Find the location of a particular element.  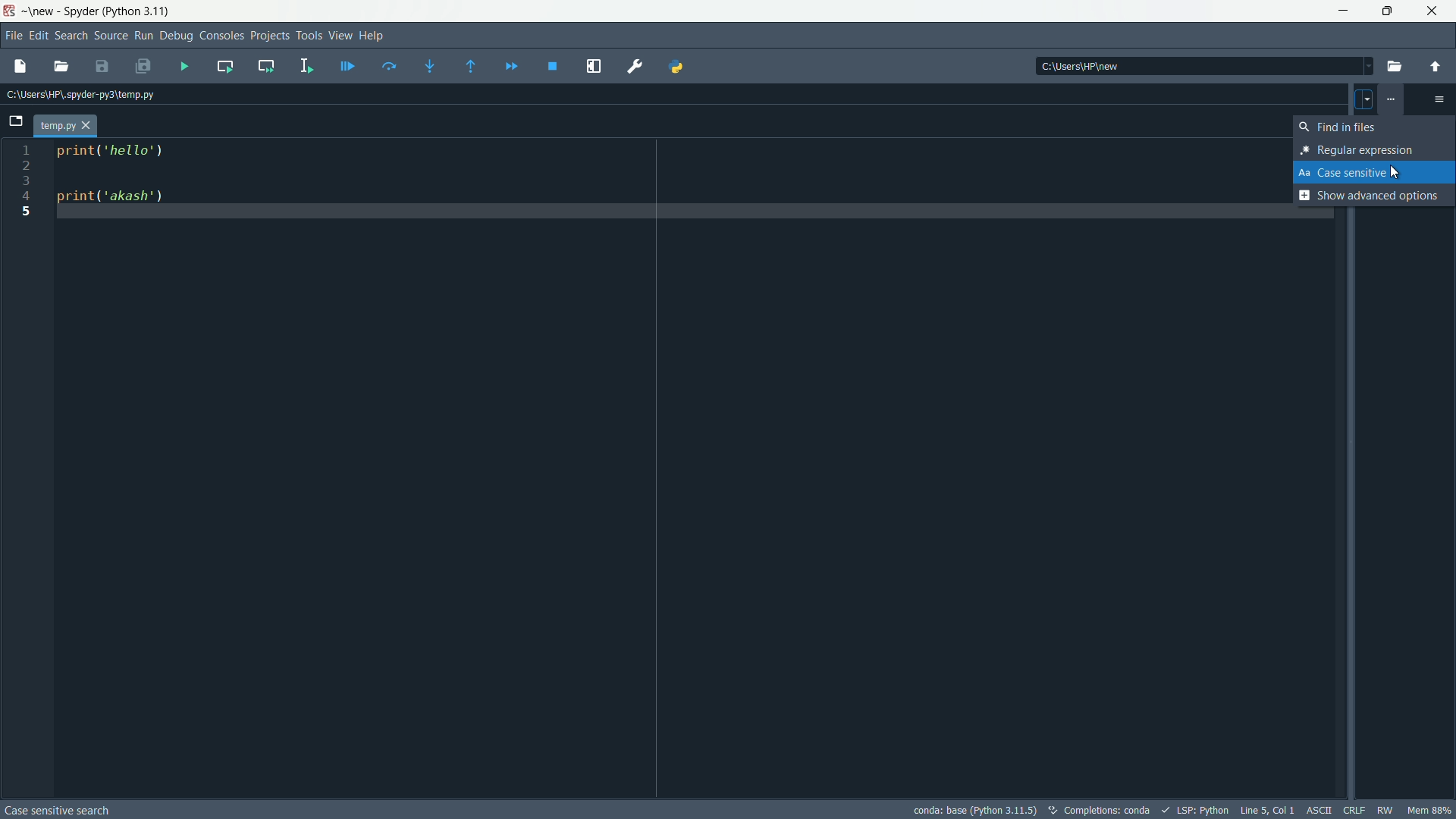

Spyder is located at coordinates (80, 11).